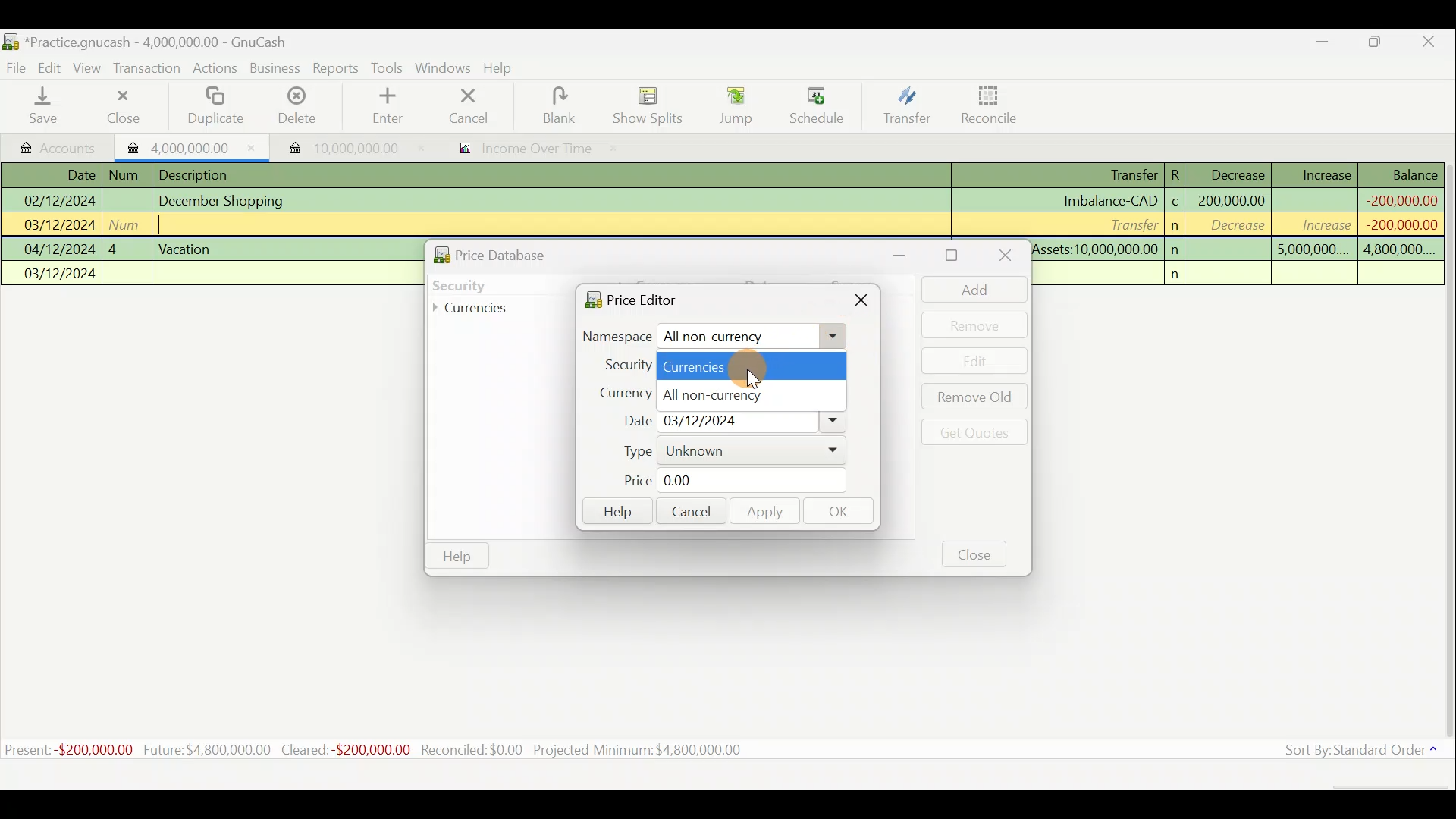 The width and height of the screenshot is (1456, 819). I want to click on Reconcile, so click(984, 105).